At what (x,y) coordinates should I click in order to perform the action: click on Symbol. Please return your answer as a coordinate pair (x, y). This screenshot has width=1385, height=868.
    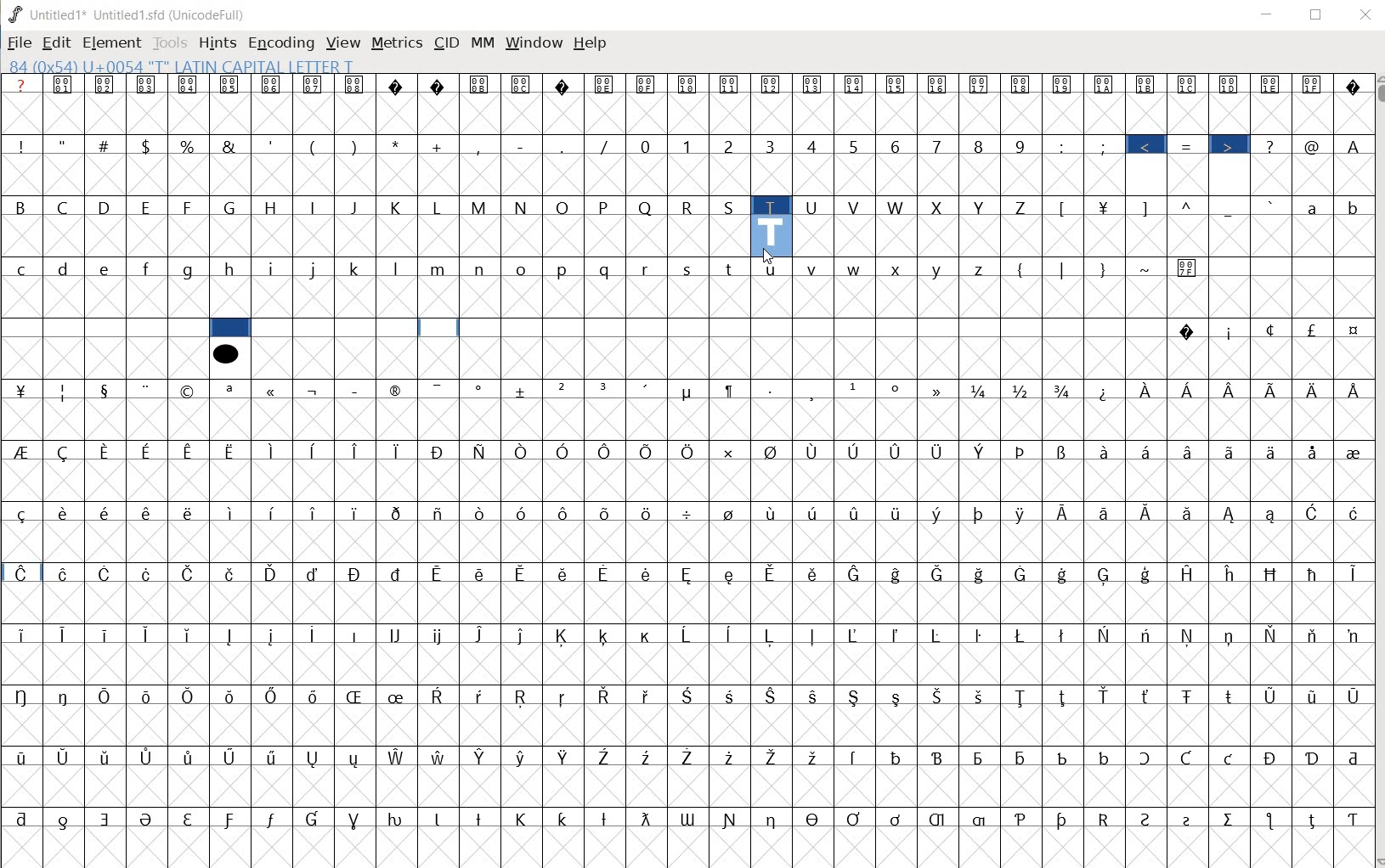
    Looking at the image, I should click on (856, 84).